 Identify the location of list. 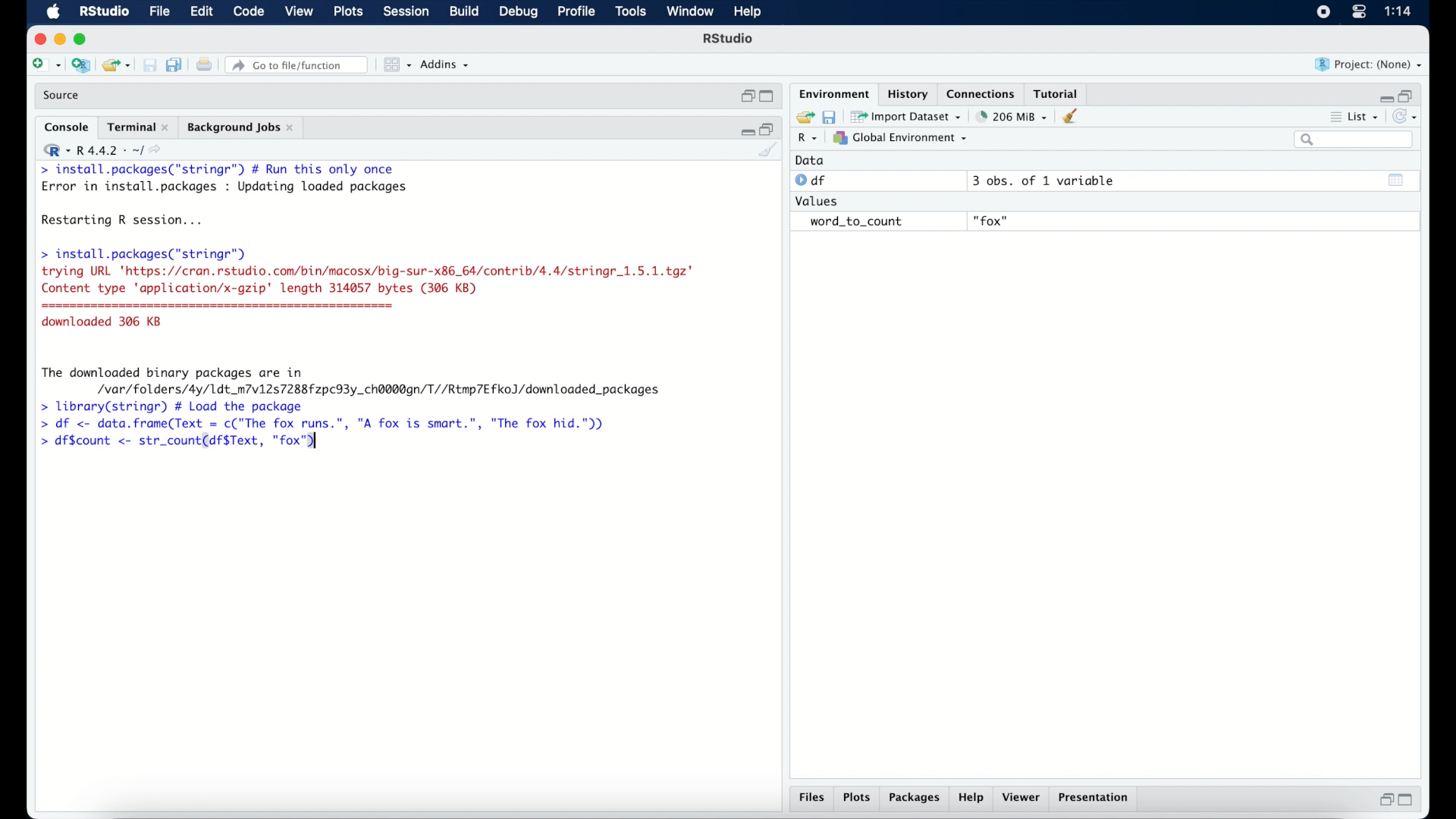
(1356, 118).